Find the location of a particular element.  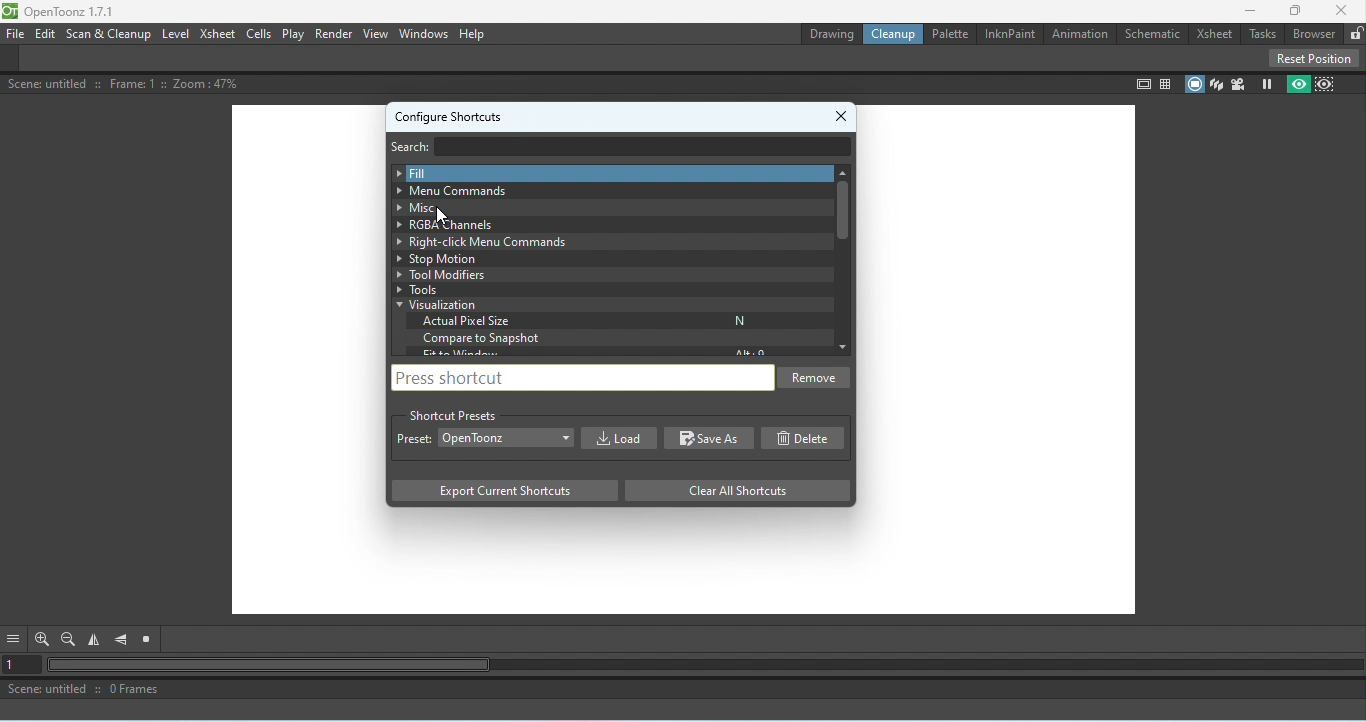

Safe area is located at coordinates (1141, 85).